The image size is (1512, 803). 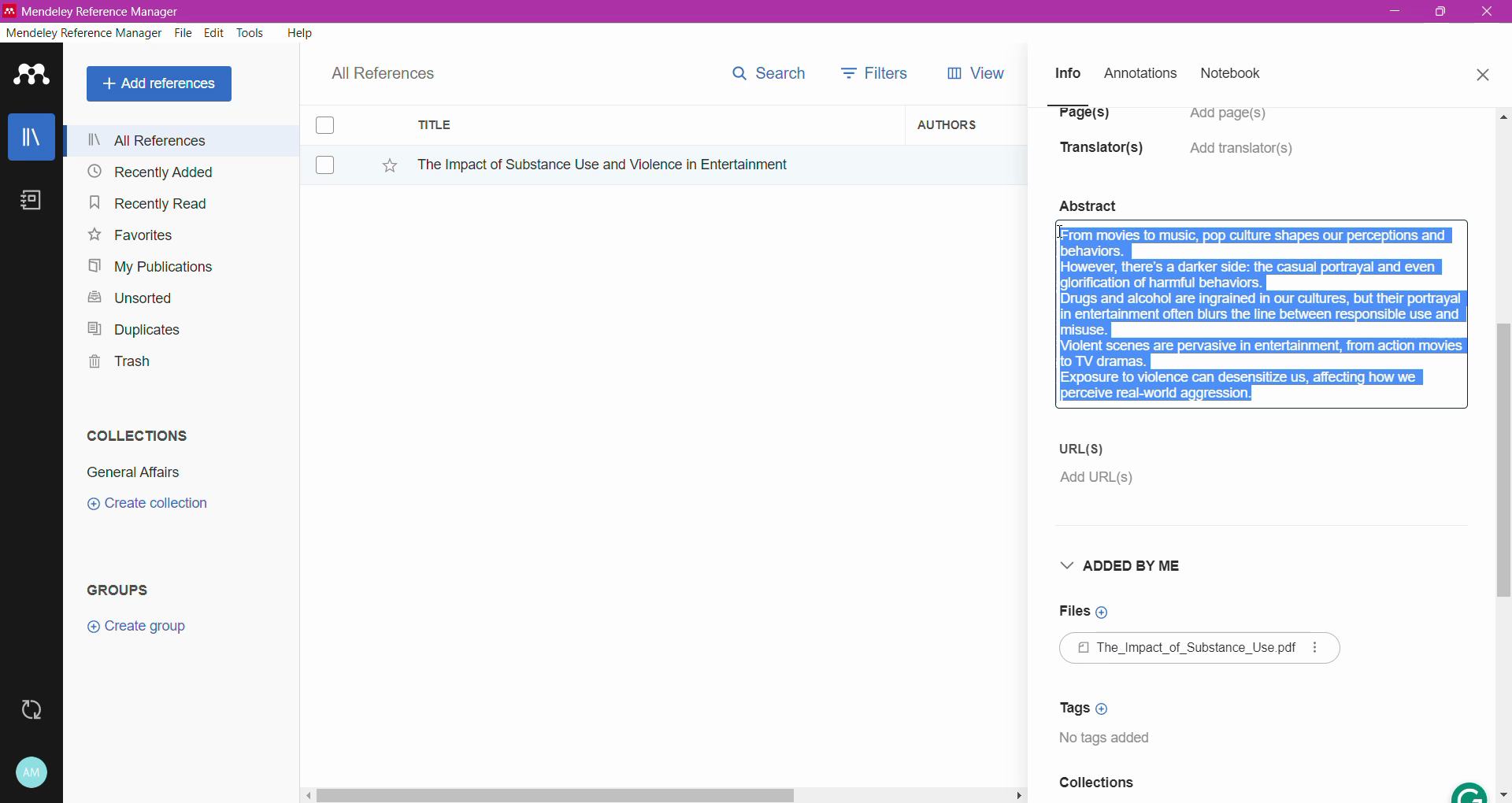 What do you see at coordinates (147, 506) in the screenshot?
I see `Click to Create Collection` at bounding box center [147, 506].